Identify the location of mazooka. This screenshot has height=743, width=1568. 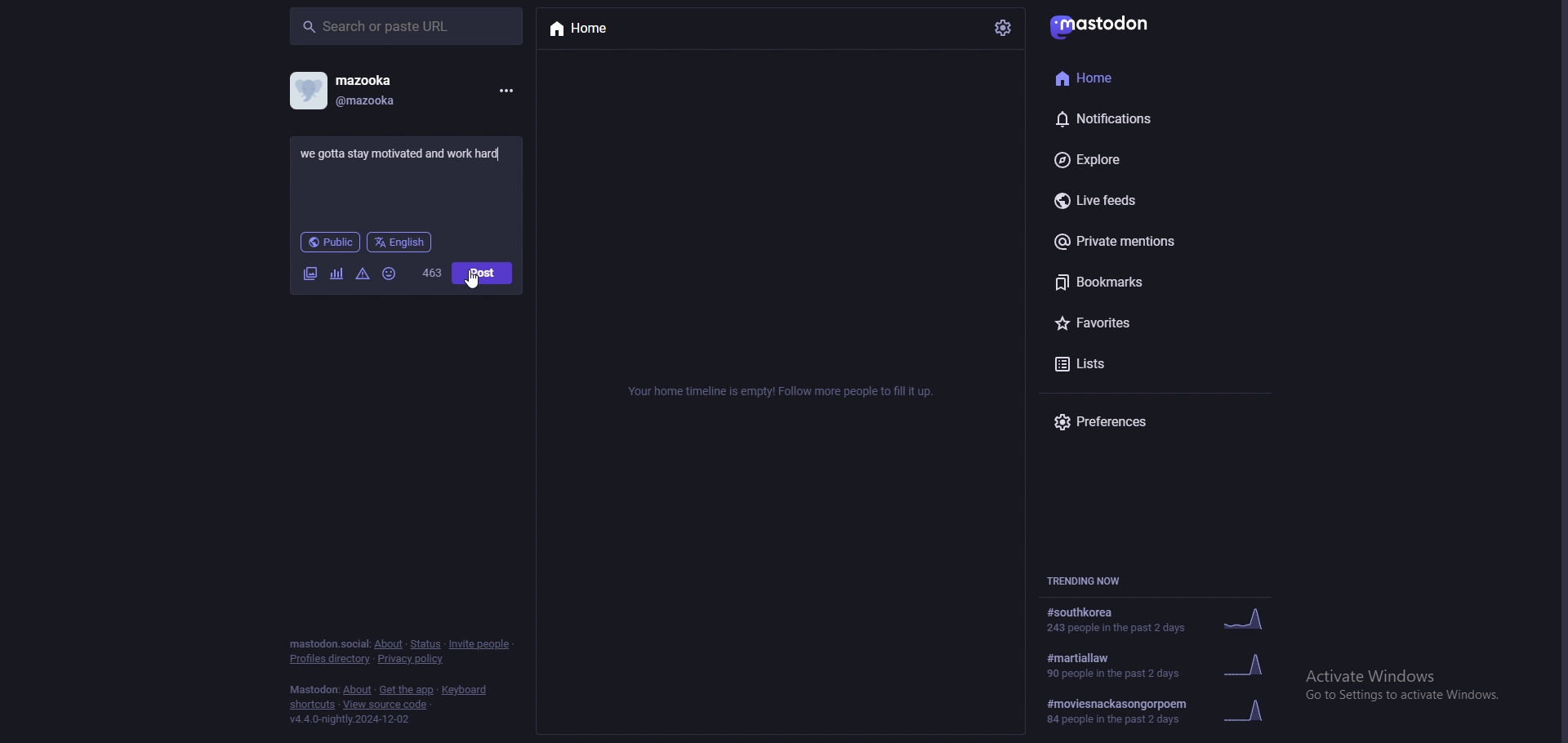
(387, 79).